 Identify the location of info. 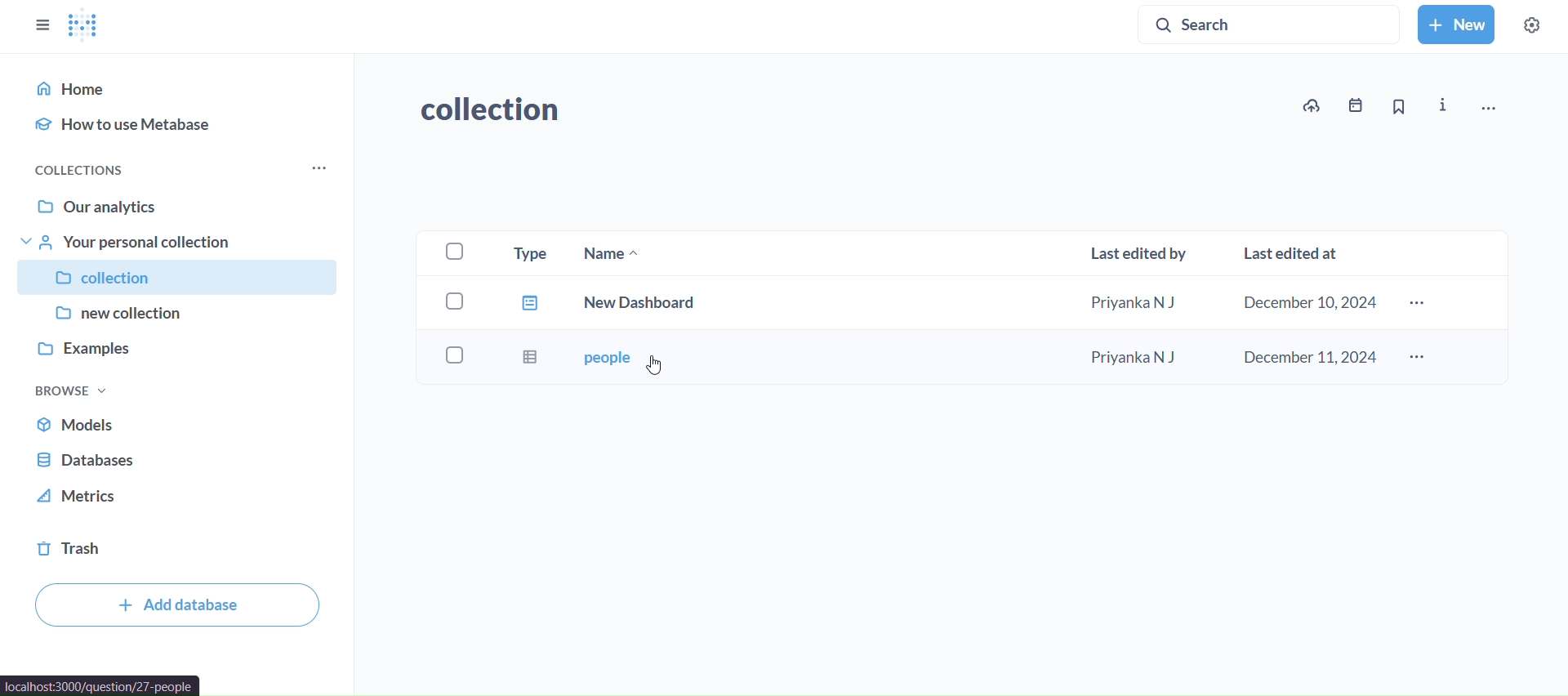
(1441, 107).